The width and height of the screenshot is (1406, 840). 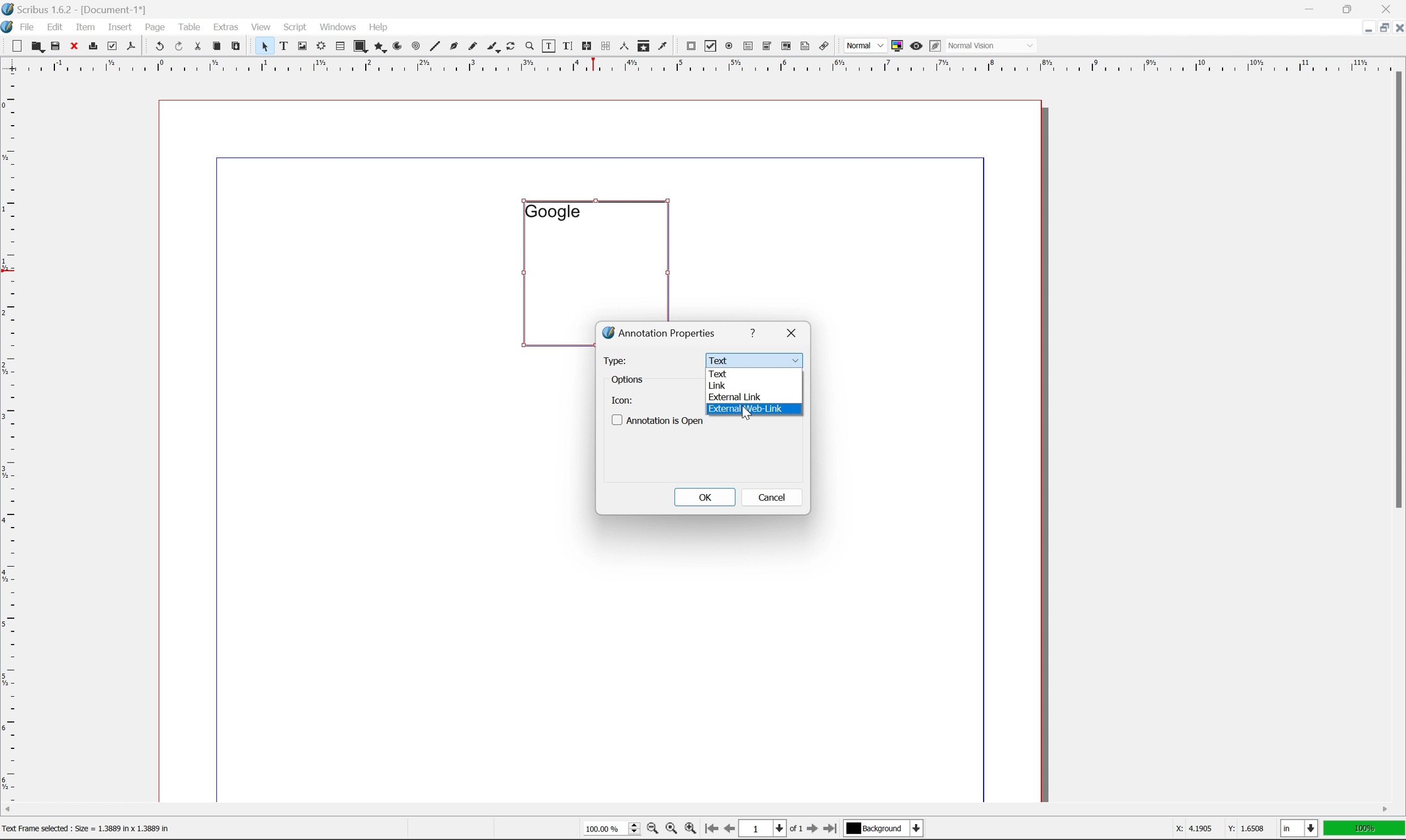 I want to click on zoom in or zoom out, so click(x=531, y=47).